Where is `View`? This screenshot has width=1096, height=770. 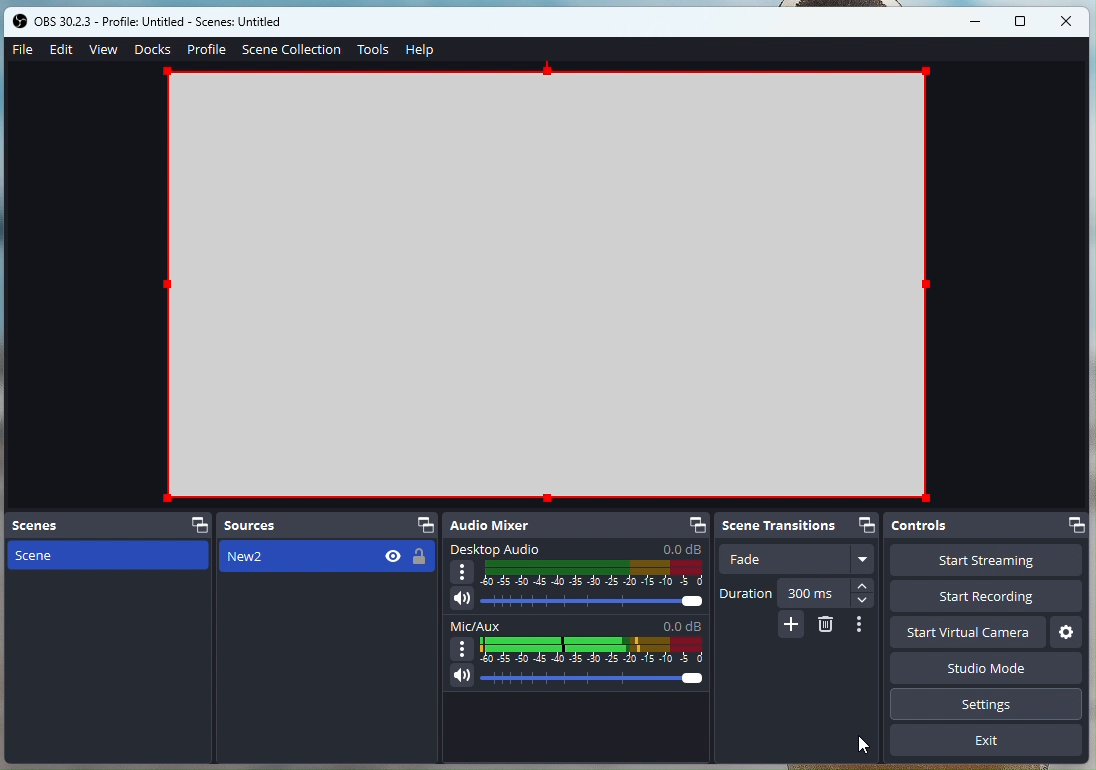 View is located at coordinates (105, 48).